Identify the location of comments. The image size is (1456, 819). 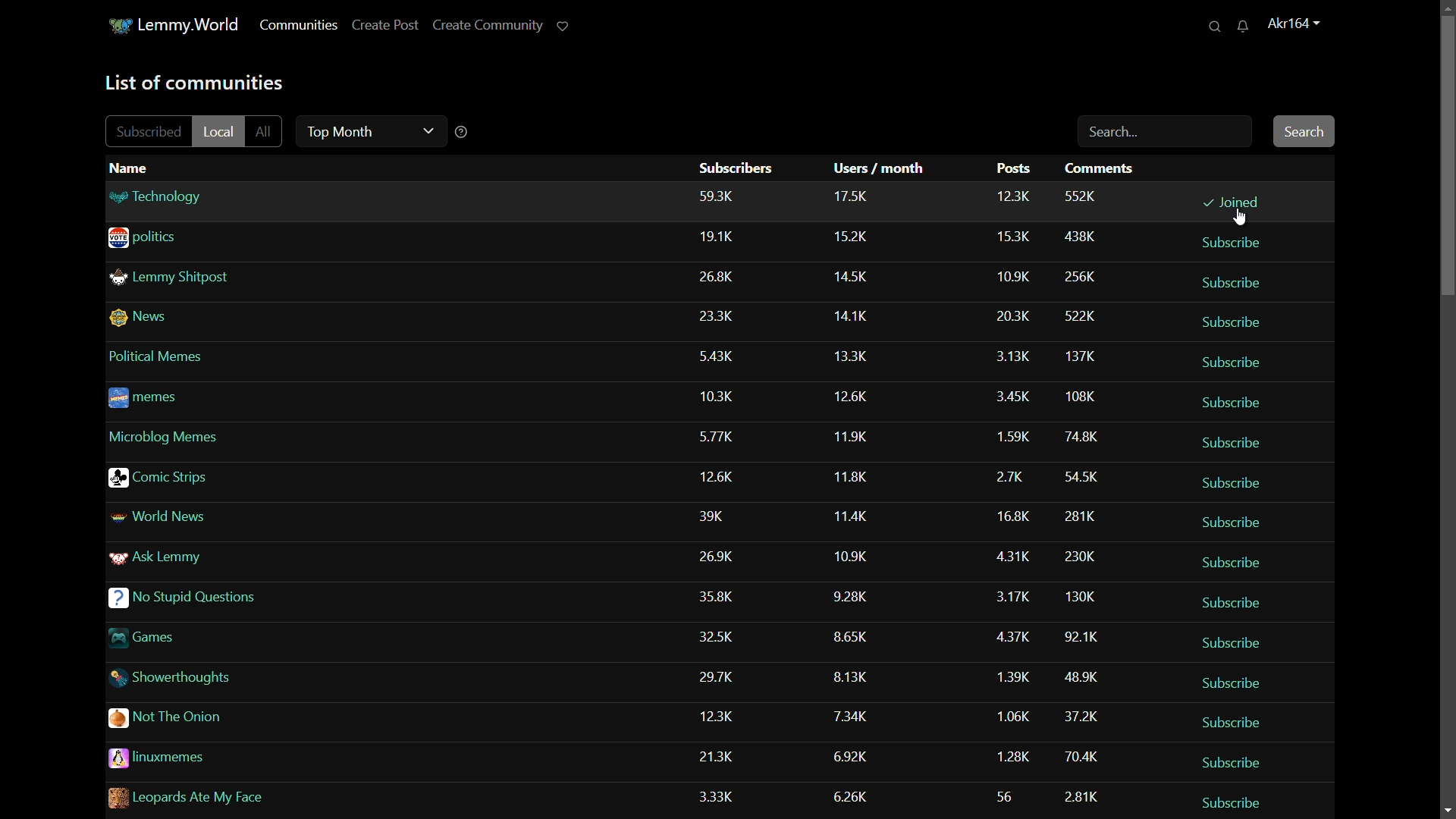
(1085, 677).